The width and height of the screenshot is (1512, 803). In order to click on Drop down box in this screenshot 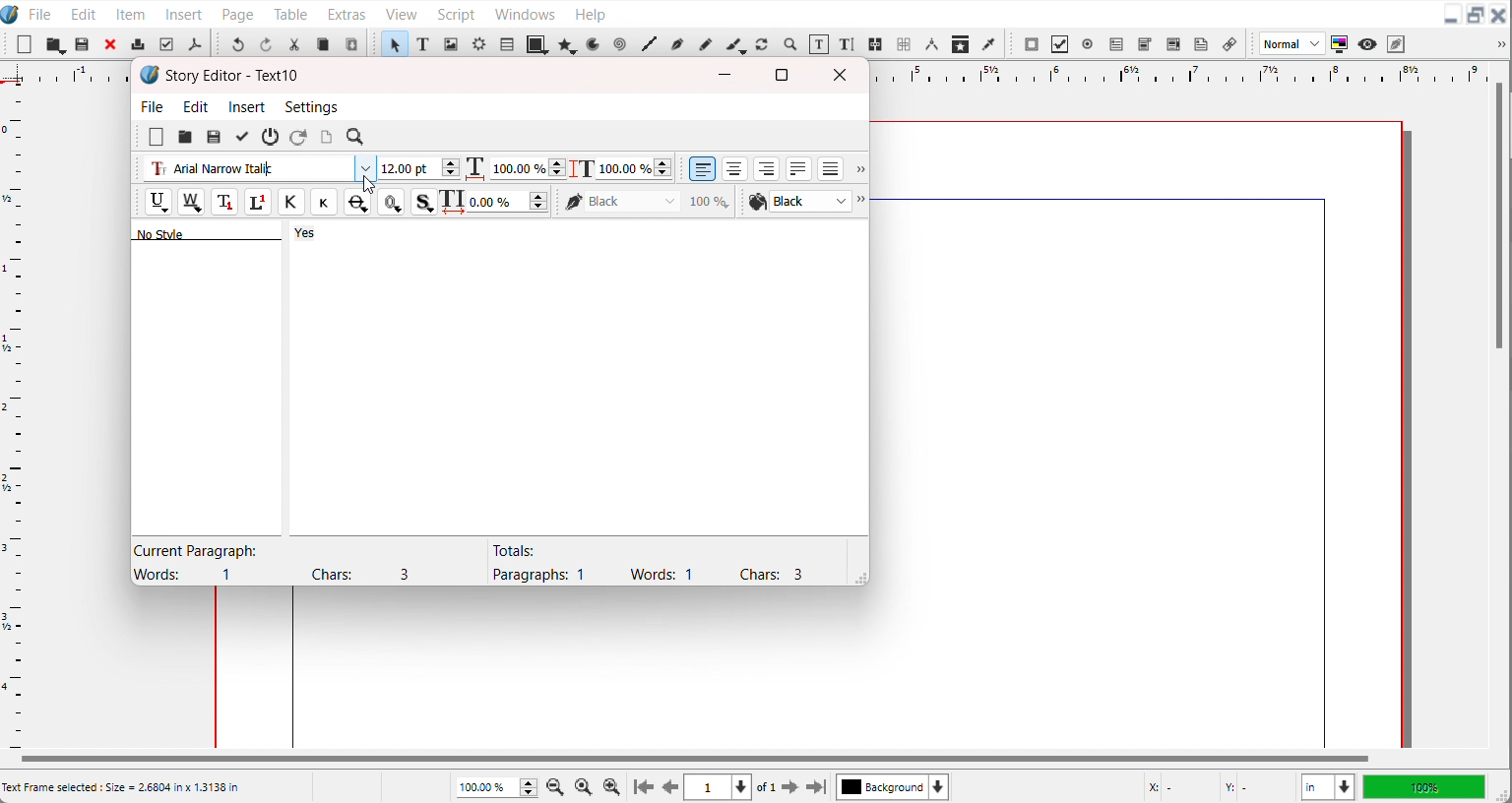, I will do `click(863, 202)`.